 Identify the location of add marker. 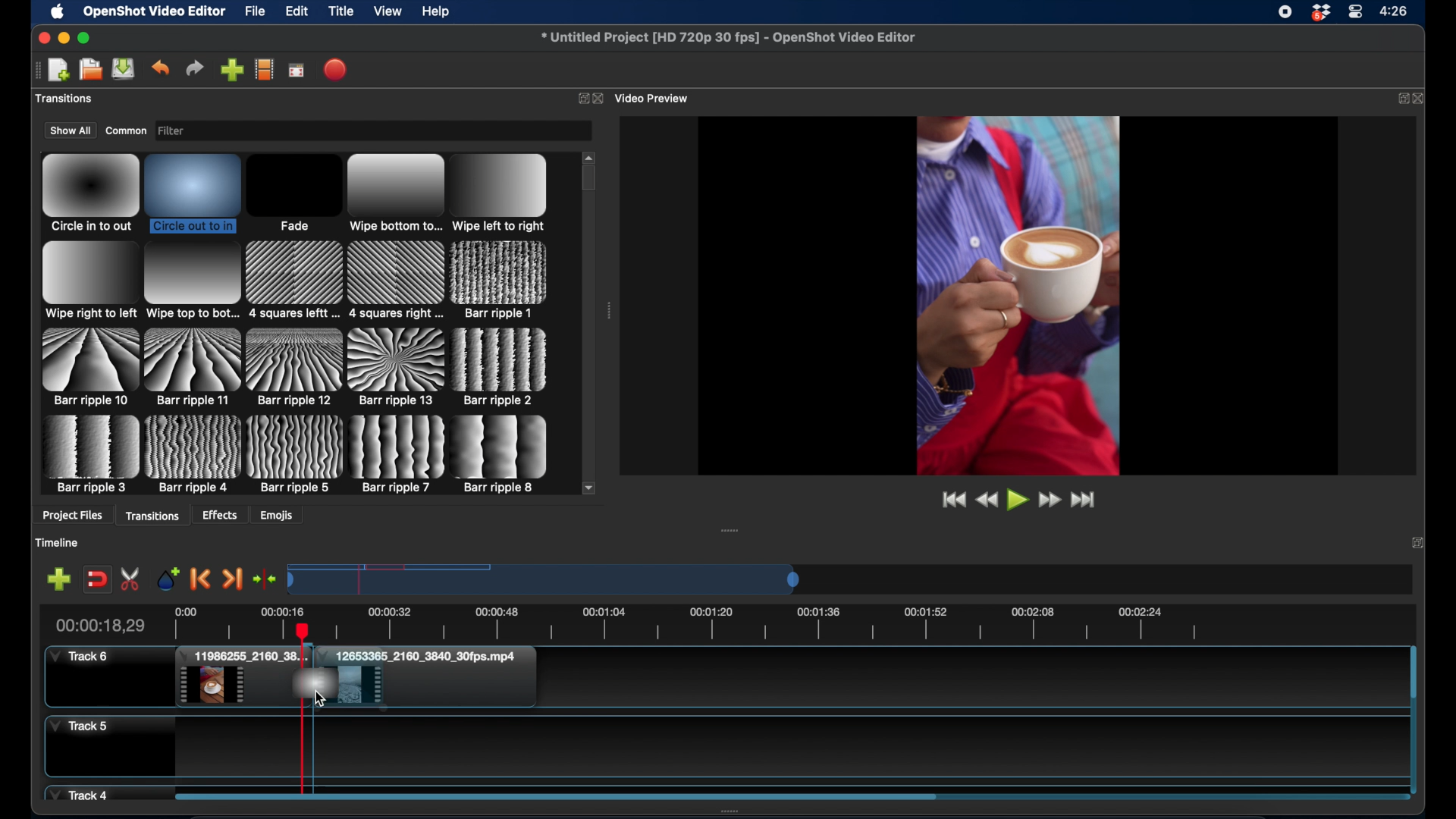
(168, 578).